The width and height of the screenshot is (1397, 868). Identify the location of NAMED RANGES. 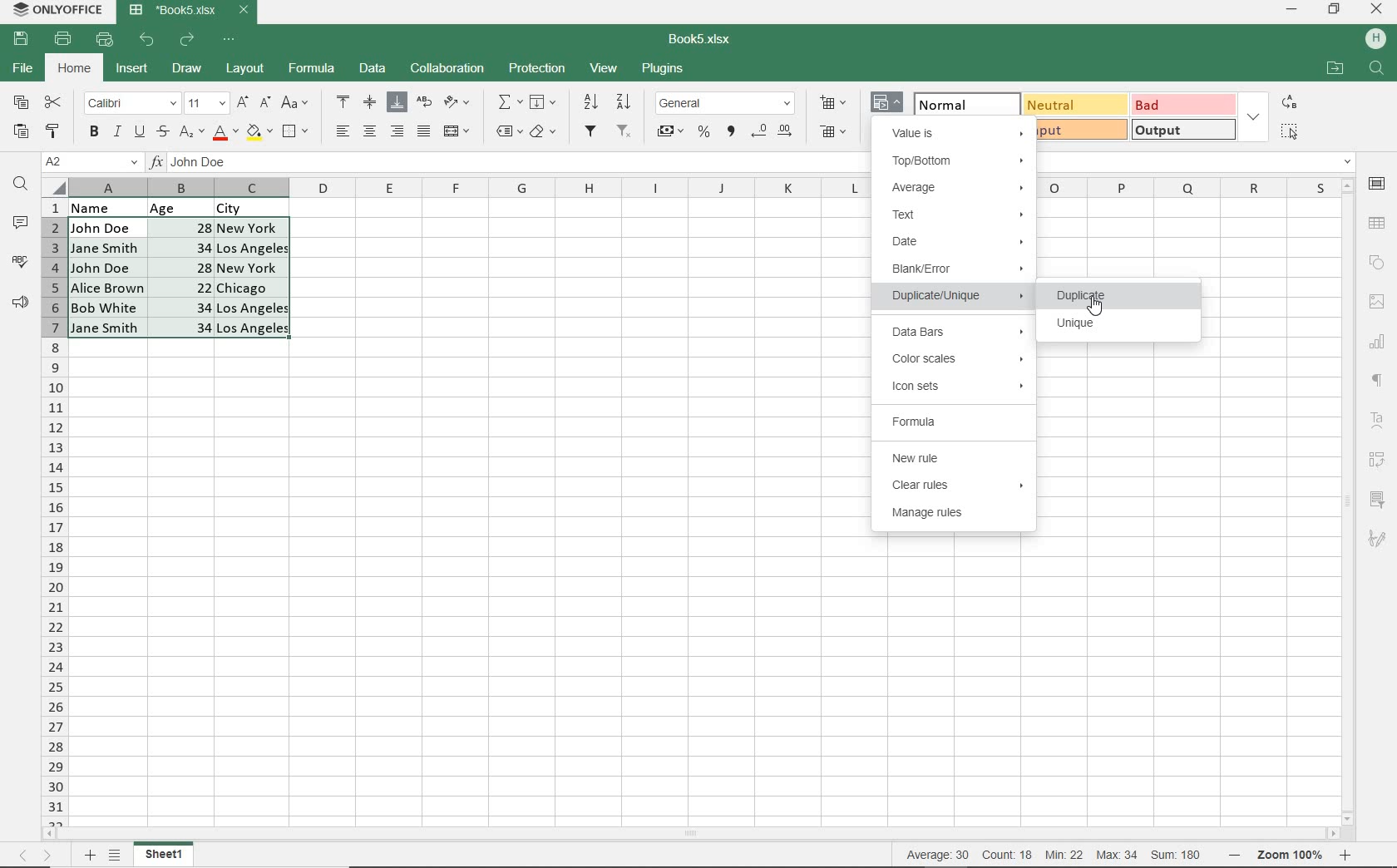
(508, 132).